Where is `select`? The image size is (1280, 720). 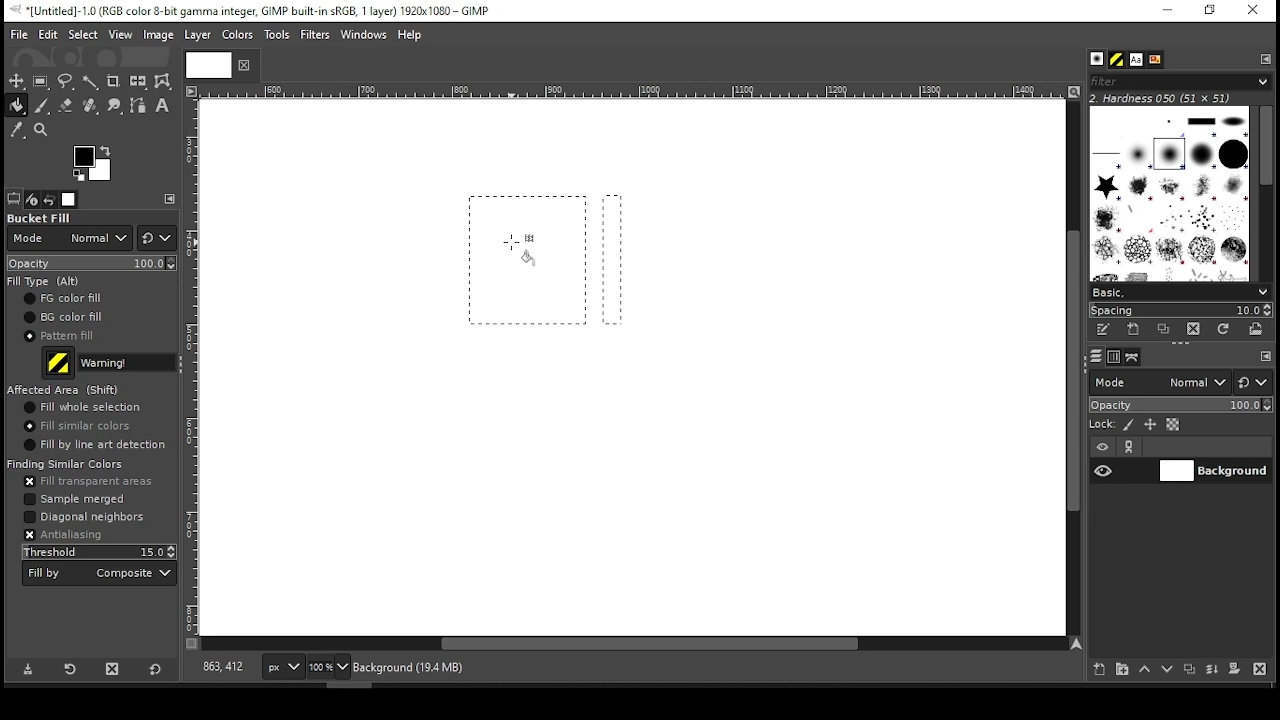
select is located at coordinates (82, 33).